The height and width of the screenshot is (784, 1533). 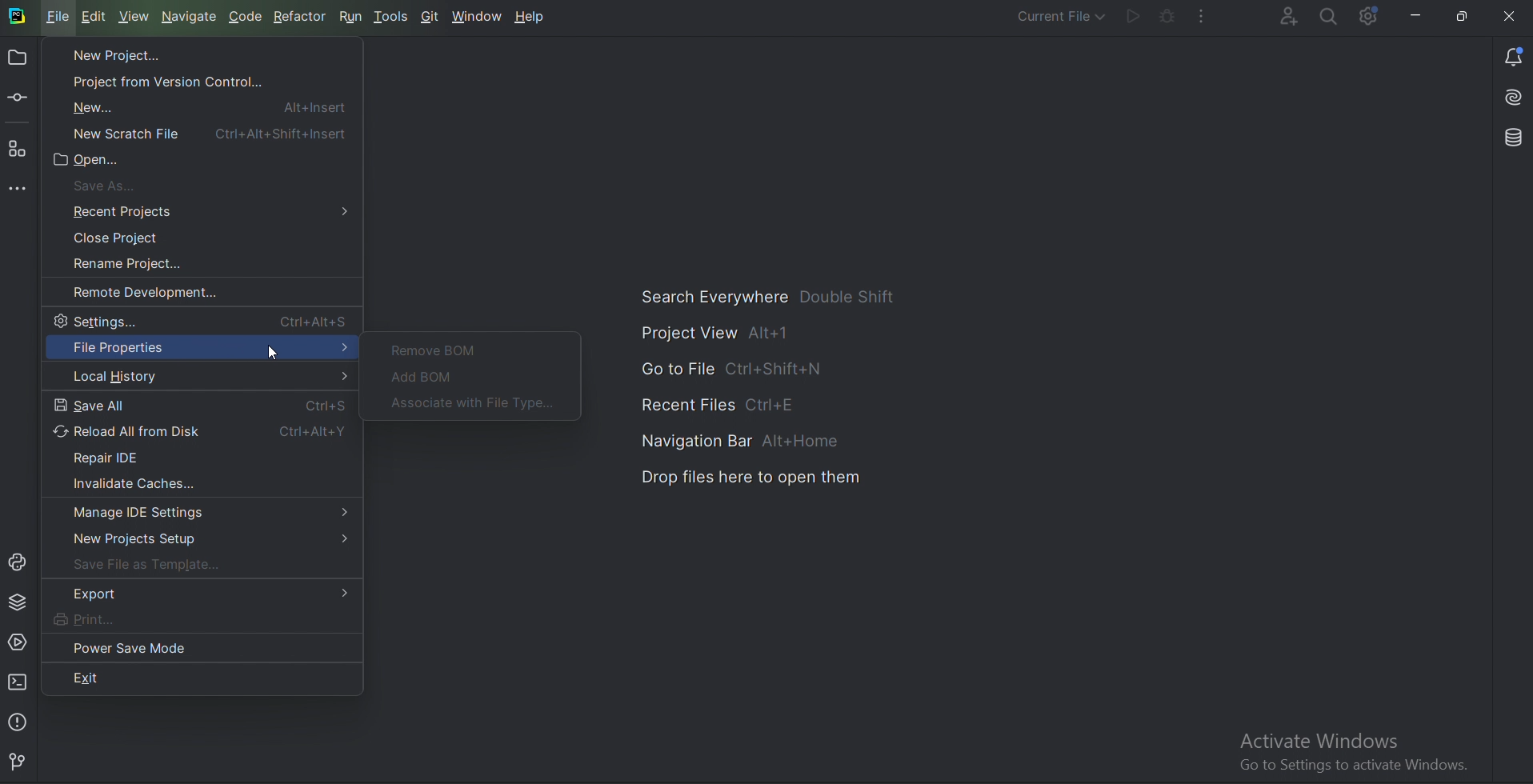 I want to click on Open, so click(x=96, y=162).